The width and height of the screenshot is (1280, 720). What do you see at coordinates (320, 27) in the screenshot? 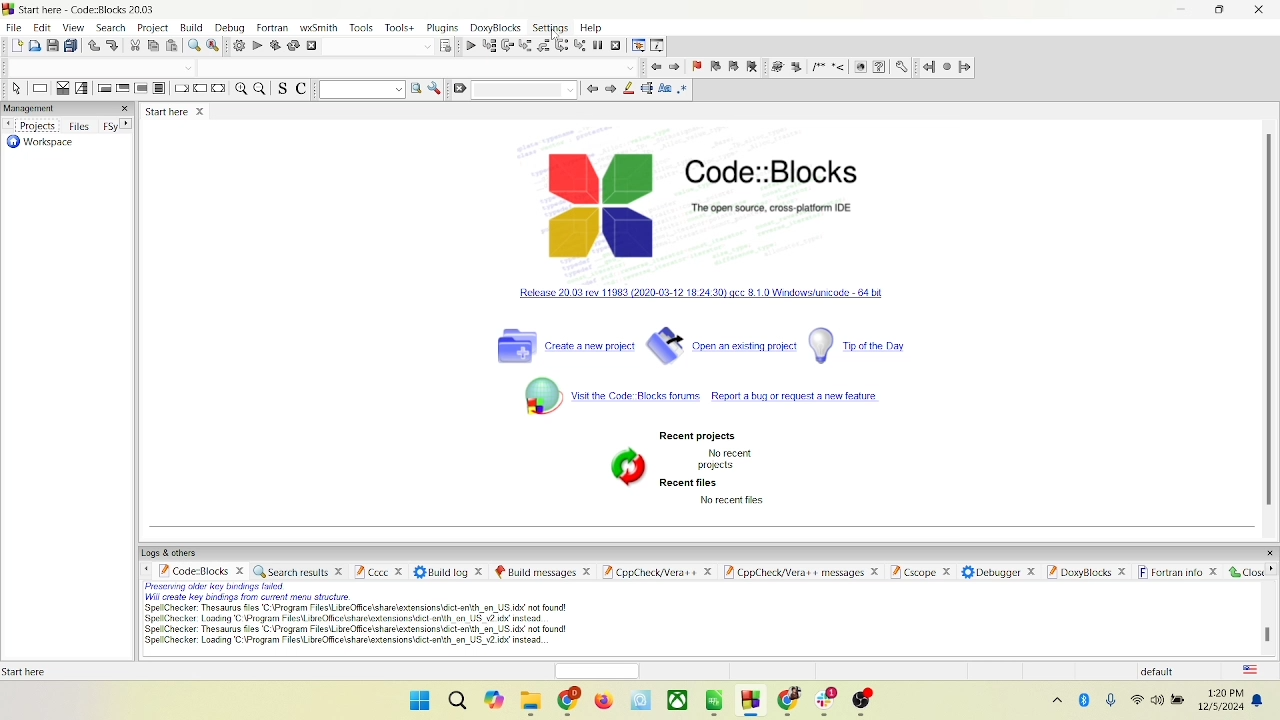
I see `wxSmith` at bounding box center [320, 27].